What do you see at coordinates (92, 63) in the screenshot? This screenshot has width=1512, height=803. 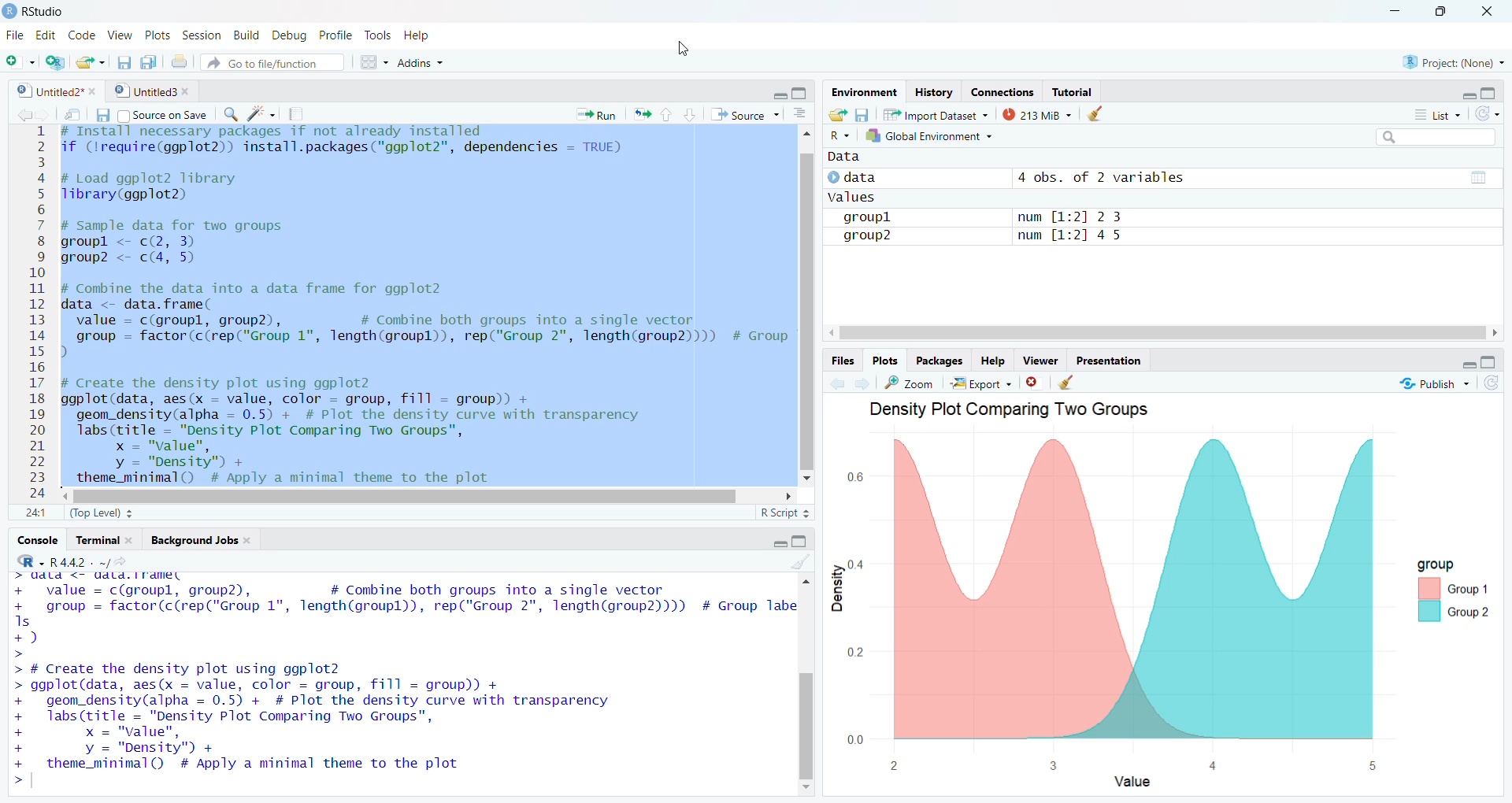 I see `open an existing file` at bounding box center [92, 63].